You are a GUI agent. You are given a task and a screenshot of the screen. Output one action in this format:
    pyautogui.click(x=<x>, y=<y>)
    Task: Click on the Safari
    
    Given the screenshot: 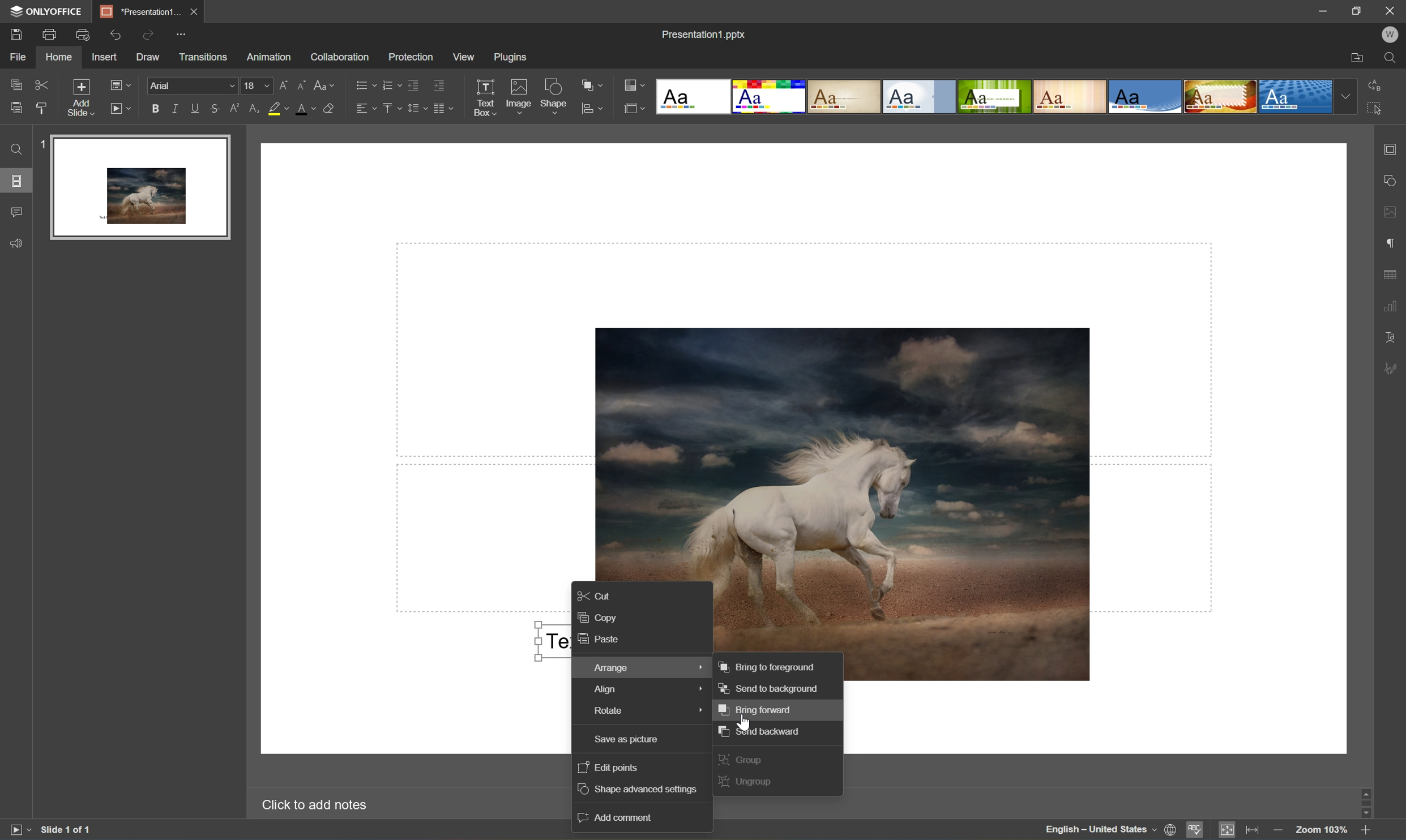 What is the action you would take?
    pyautogui.click(x=1221, y=97)
    